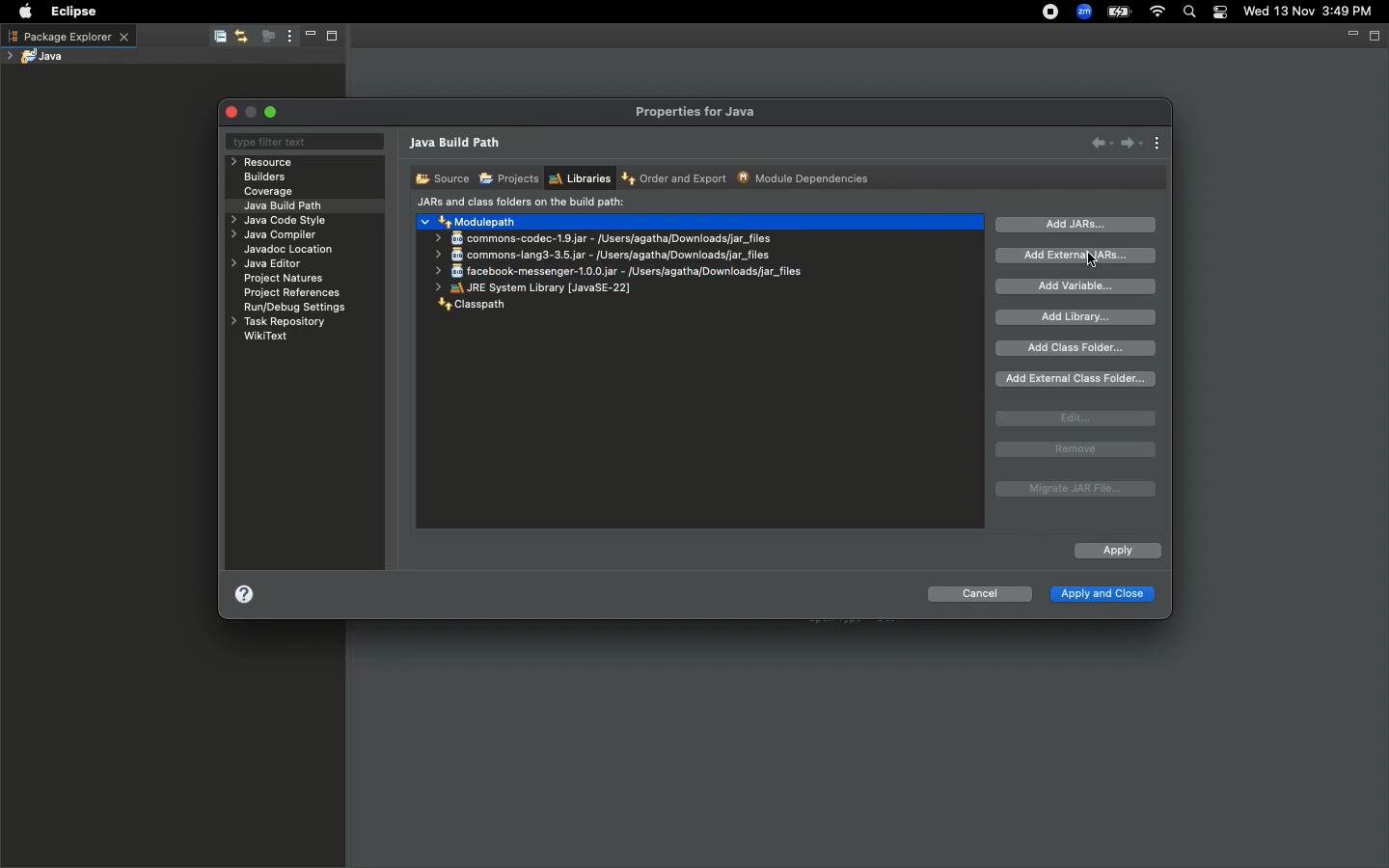 The height and width of the screenshot is (868, 1389). Describe the element at coordinates (1089, 258) in the screenshot. I see `Pointer Cursor` at that location.